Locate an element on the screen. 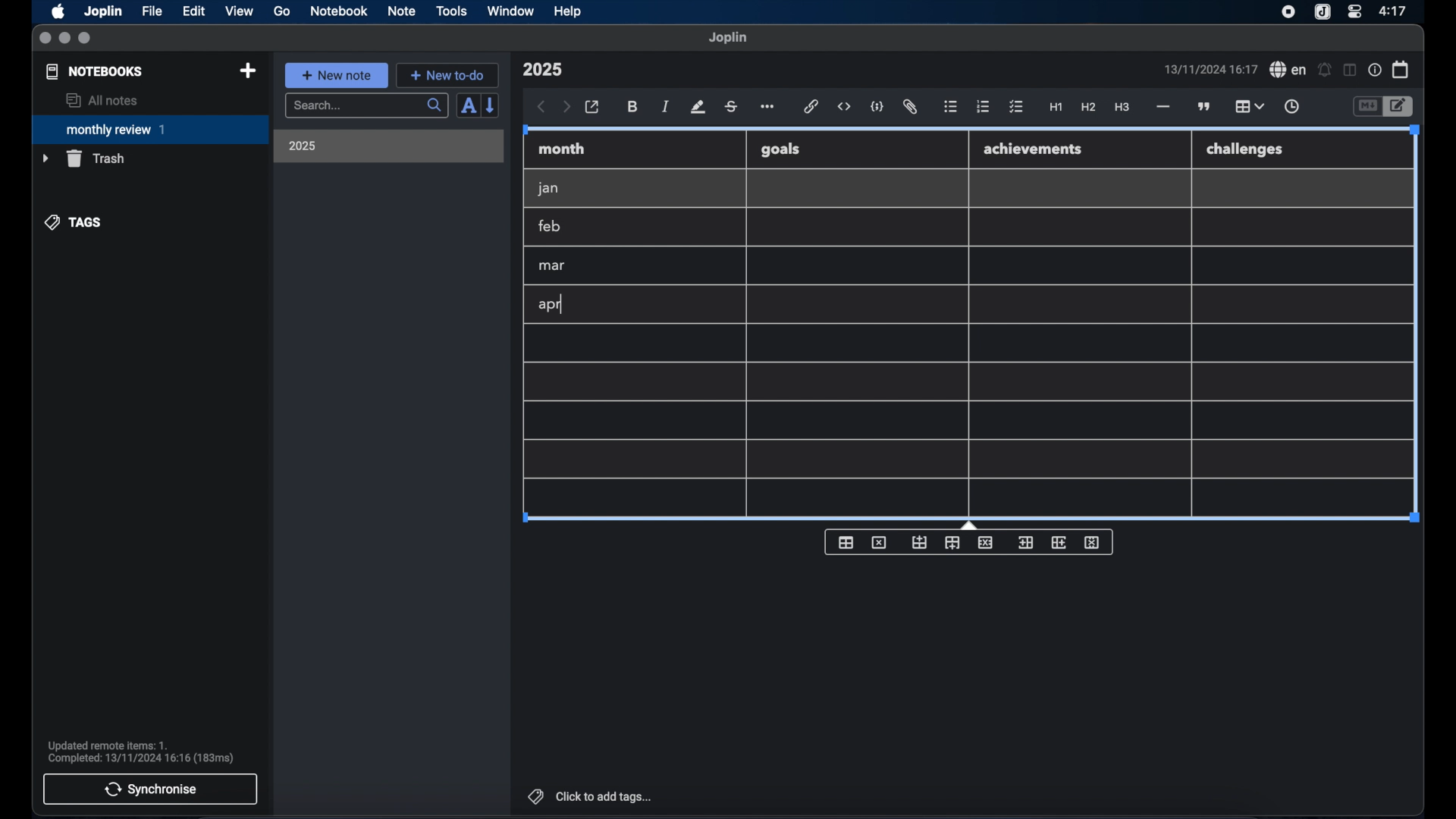 This screenshot has height=819, width=1456. 2025 is located at coordinates (303, 146).